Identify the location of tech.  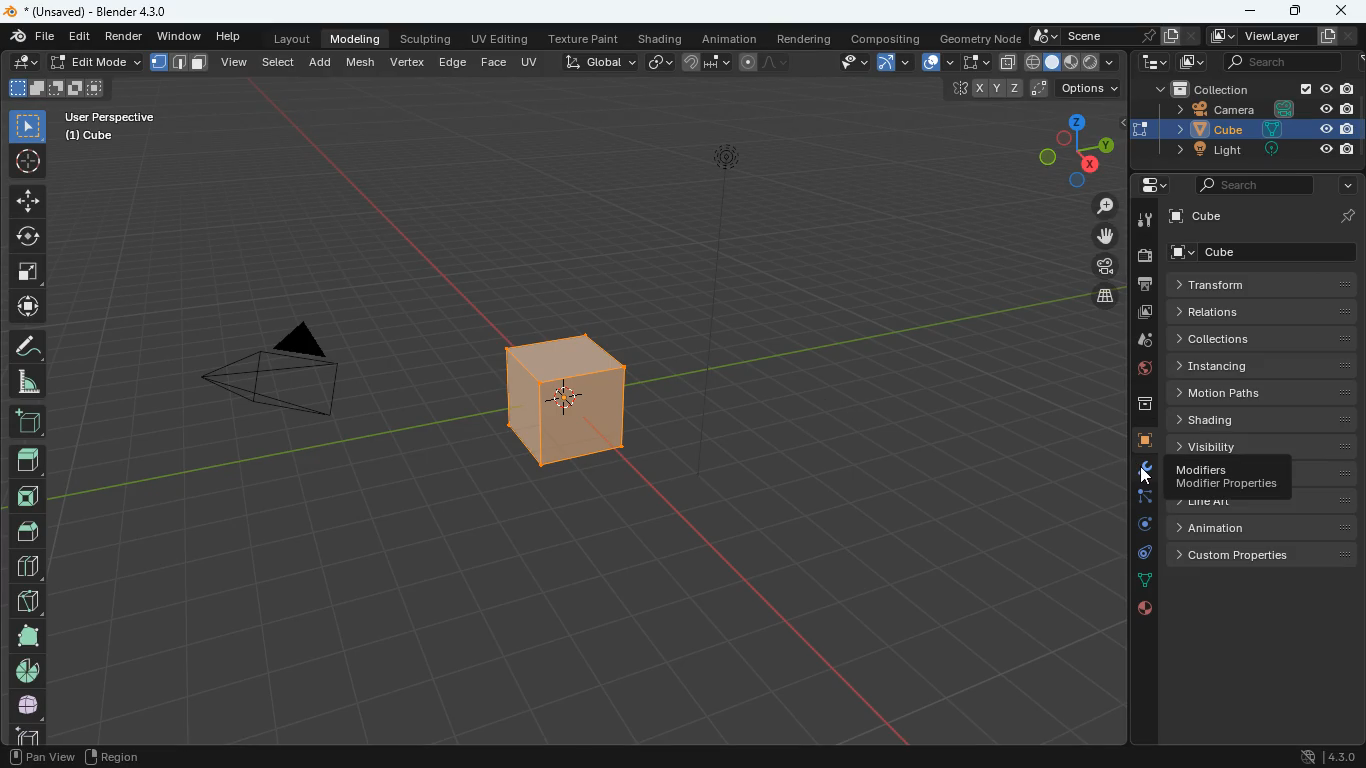
(1151, 62).